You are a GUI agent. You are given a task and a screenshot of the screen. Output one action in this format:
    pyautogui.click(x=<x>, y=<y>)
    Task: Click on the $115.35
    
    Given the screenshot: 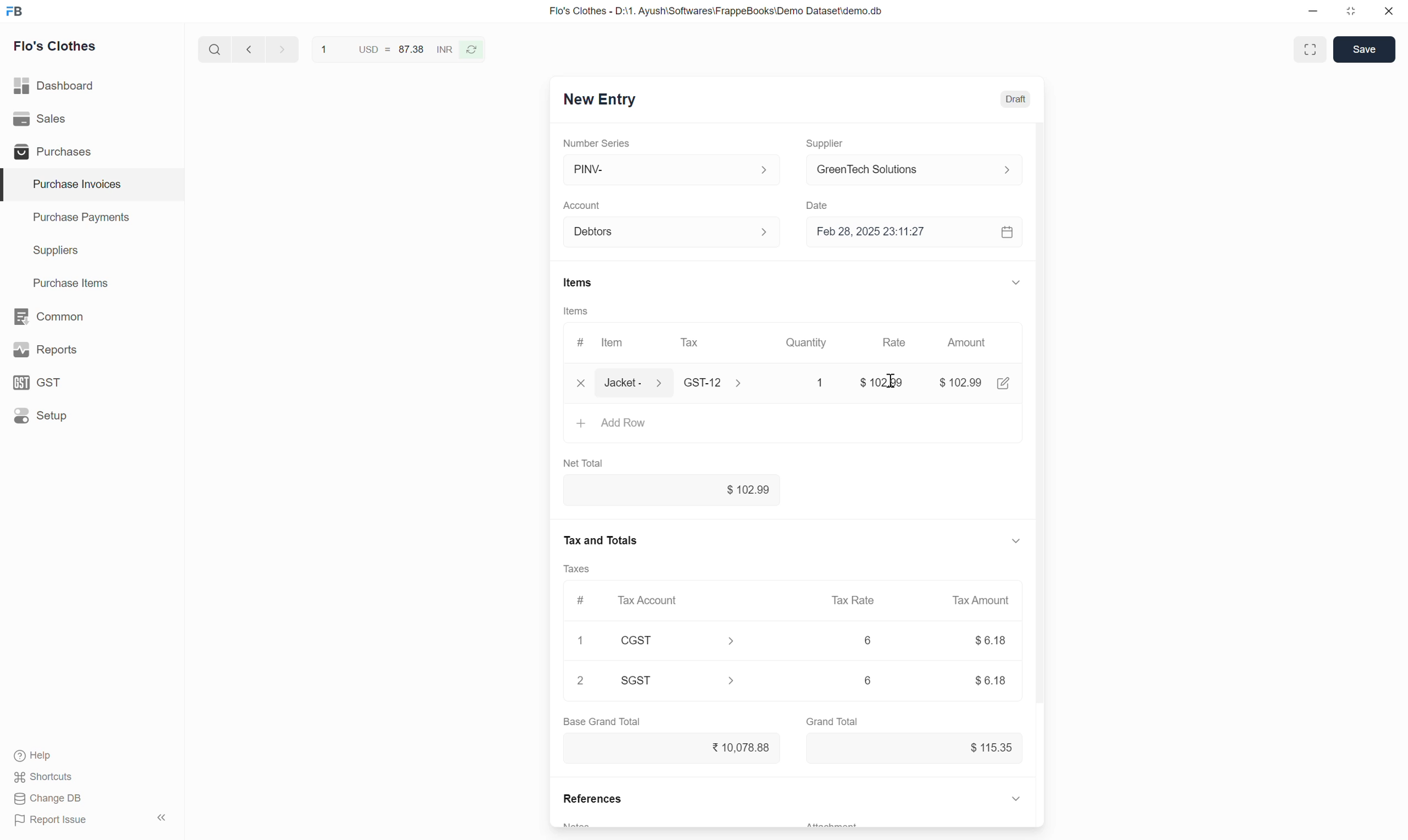 What is the action you would take?
    pyautogui.click(x=916, y=748)
    